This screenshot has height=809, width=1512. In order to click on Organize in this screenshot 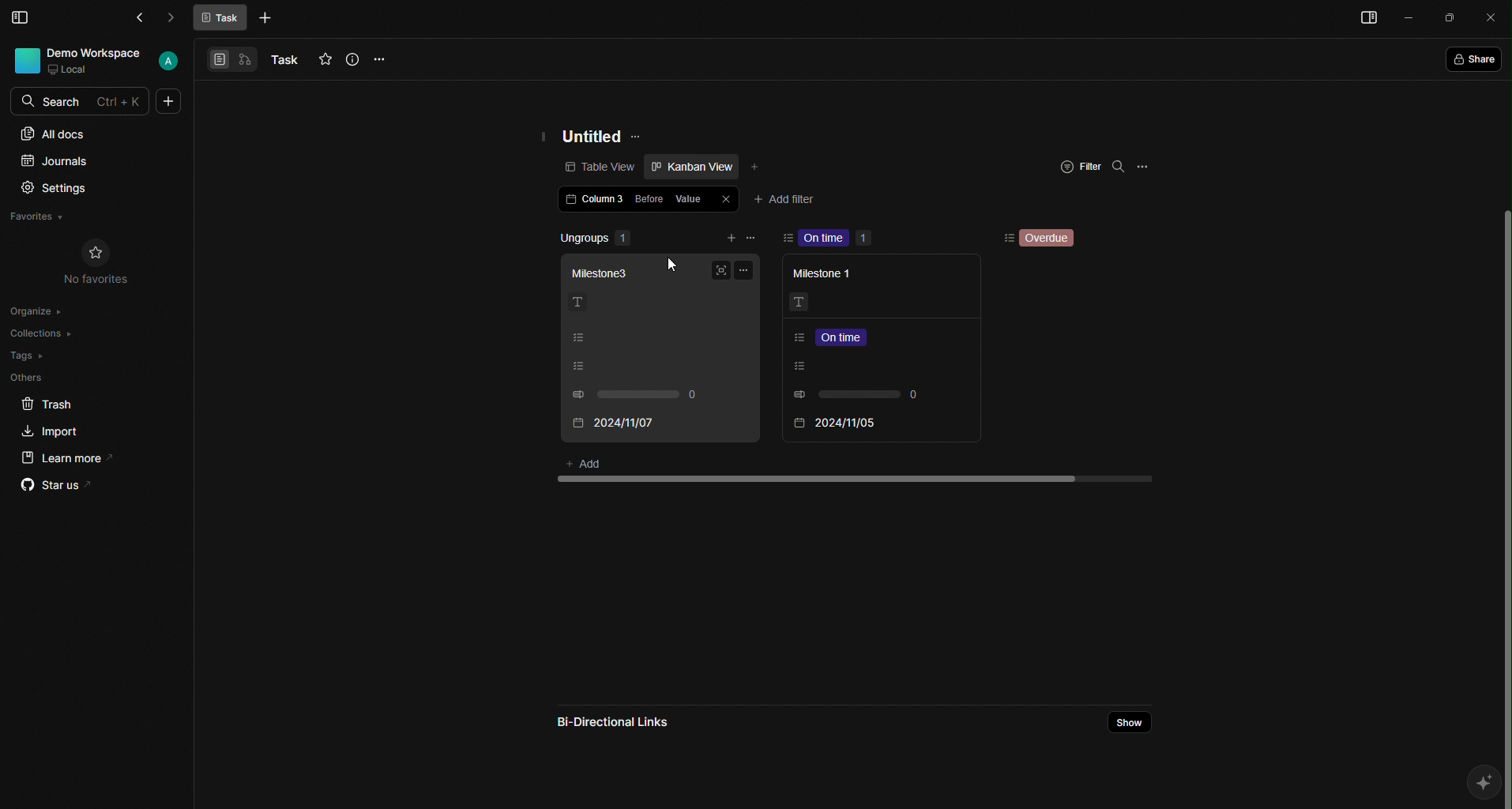, I will do `click(41, 310)`.